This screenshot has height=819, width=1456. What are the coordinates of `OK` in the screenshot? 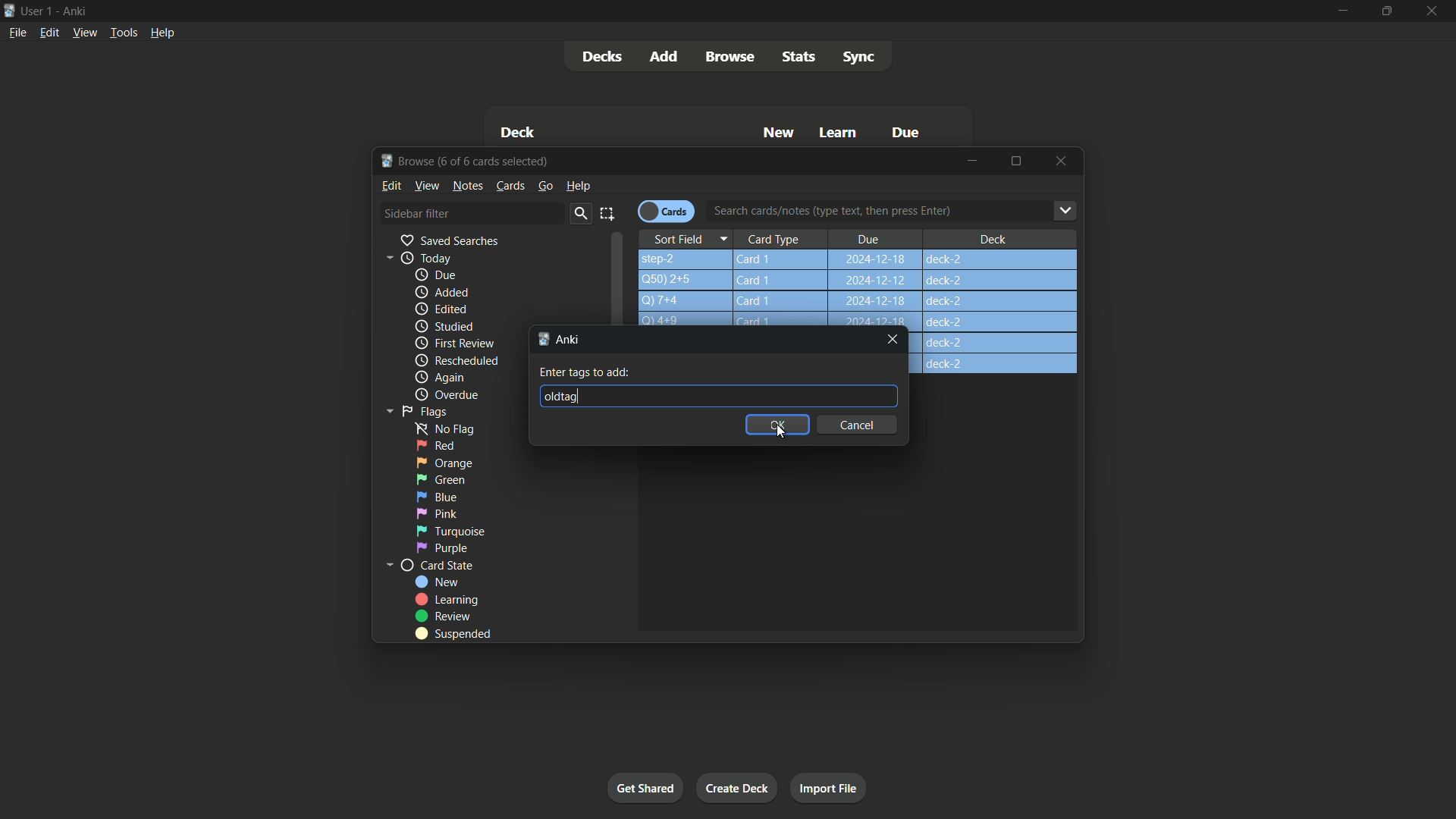 It's located at (777, 424).